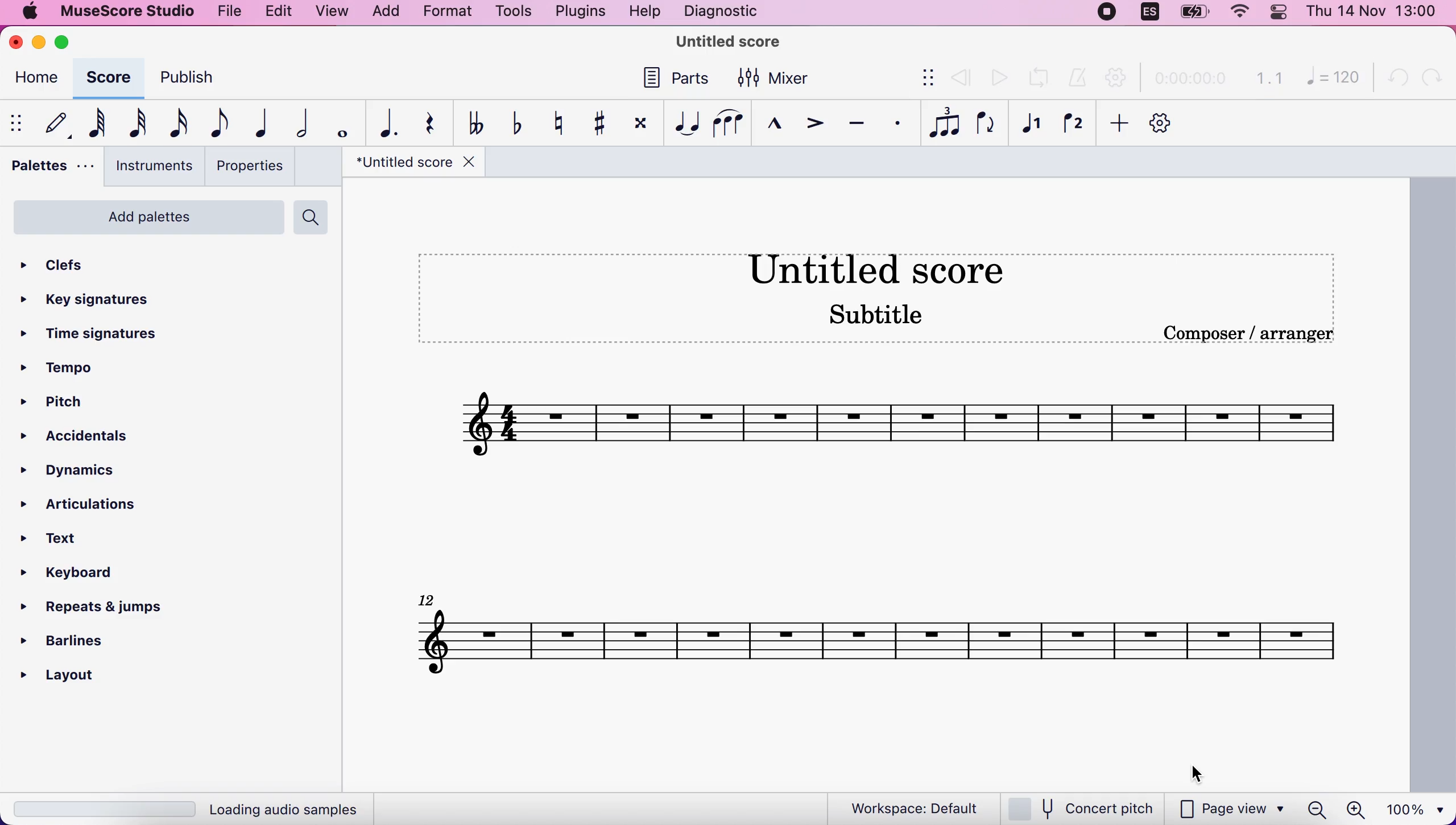 This screenshot has width=1456, height=825. What do you see at coordinates (71, 402) in the screenshot?
I see `pitch` at bounding box center [71, 402].